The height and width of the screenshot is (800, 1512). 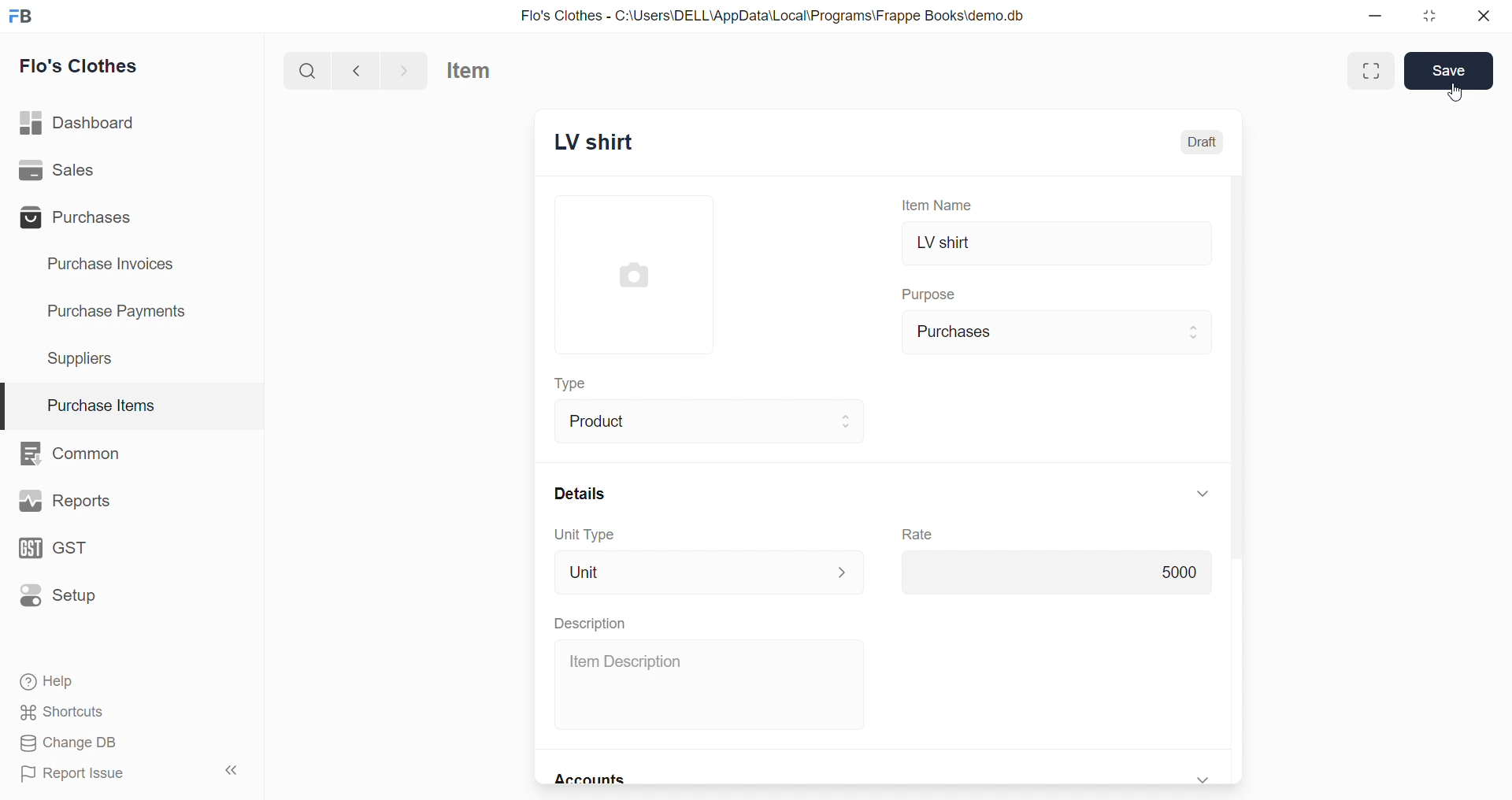 I want to click on Sales, so click(x=81, y=171).